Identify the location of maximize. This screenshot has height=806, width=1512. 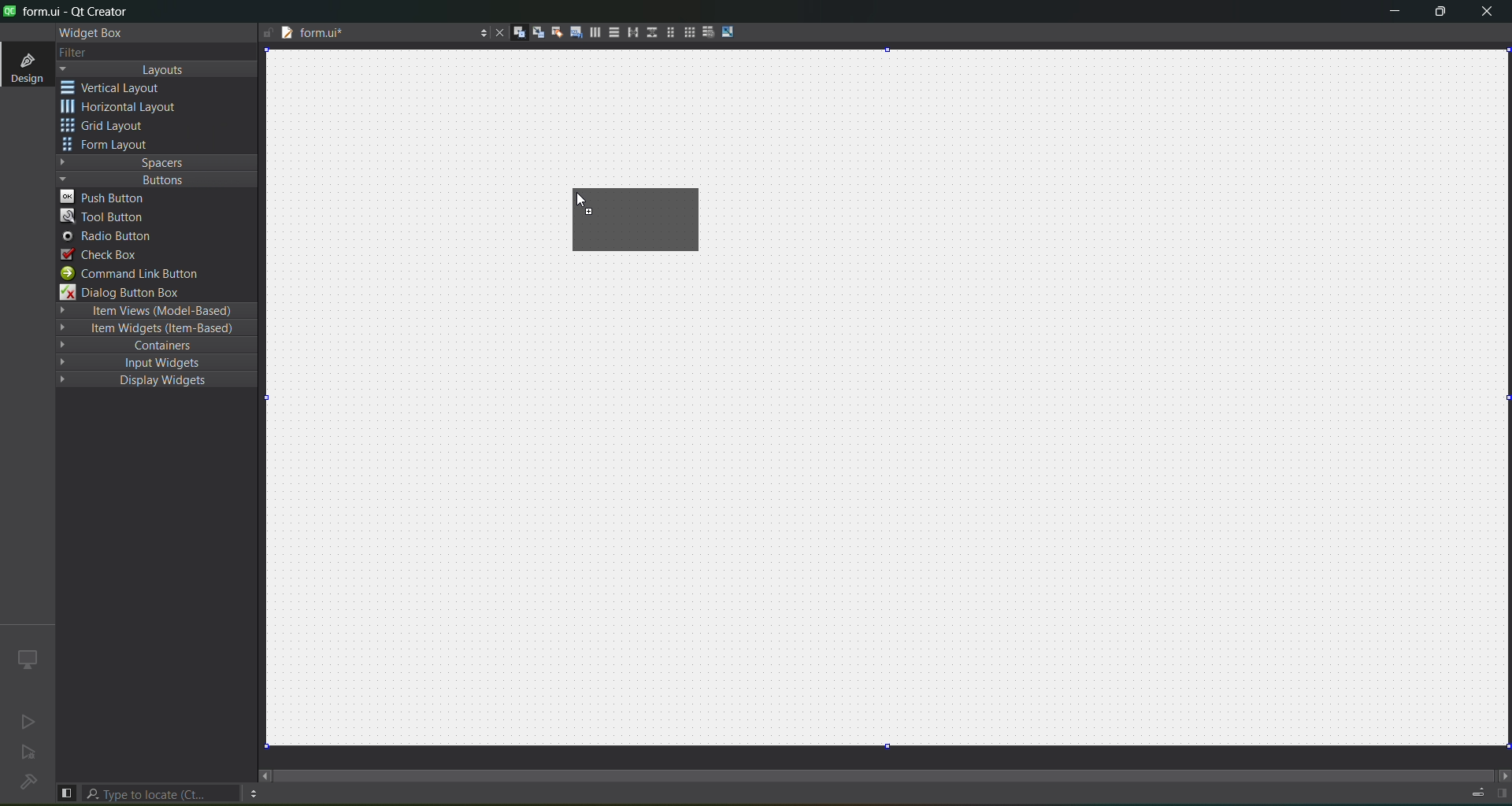
(1438, 13).